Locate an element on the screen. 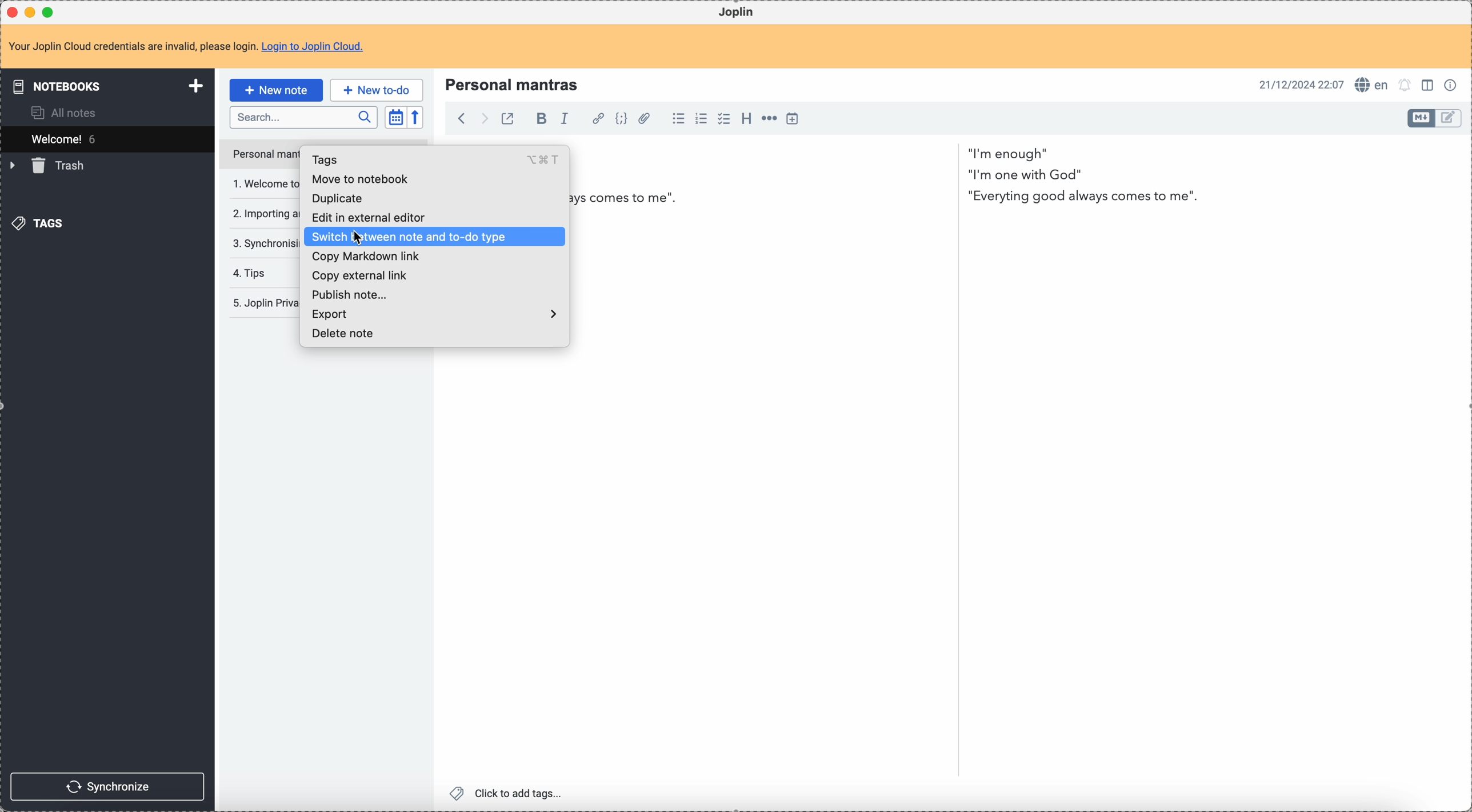 This screenshot has width=1472, height=812. delete note is located at coordinates (345, 335).